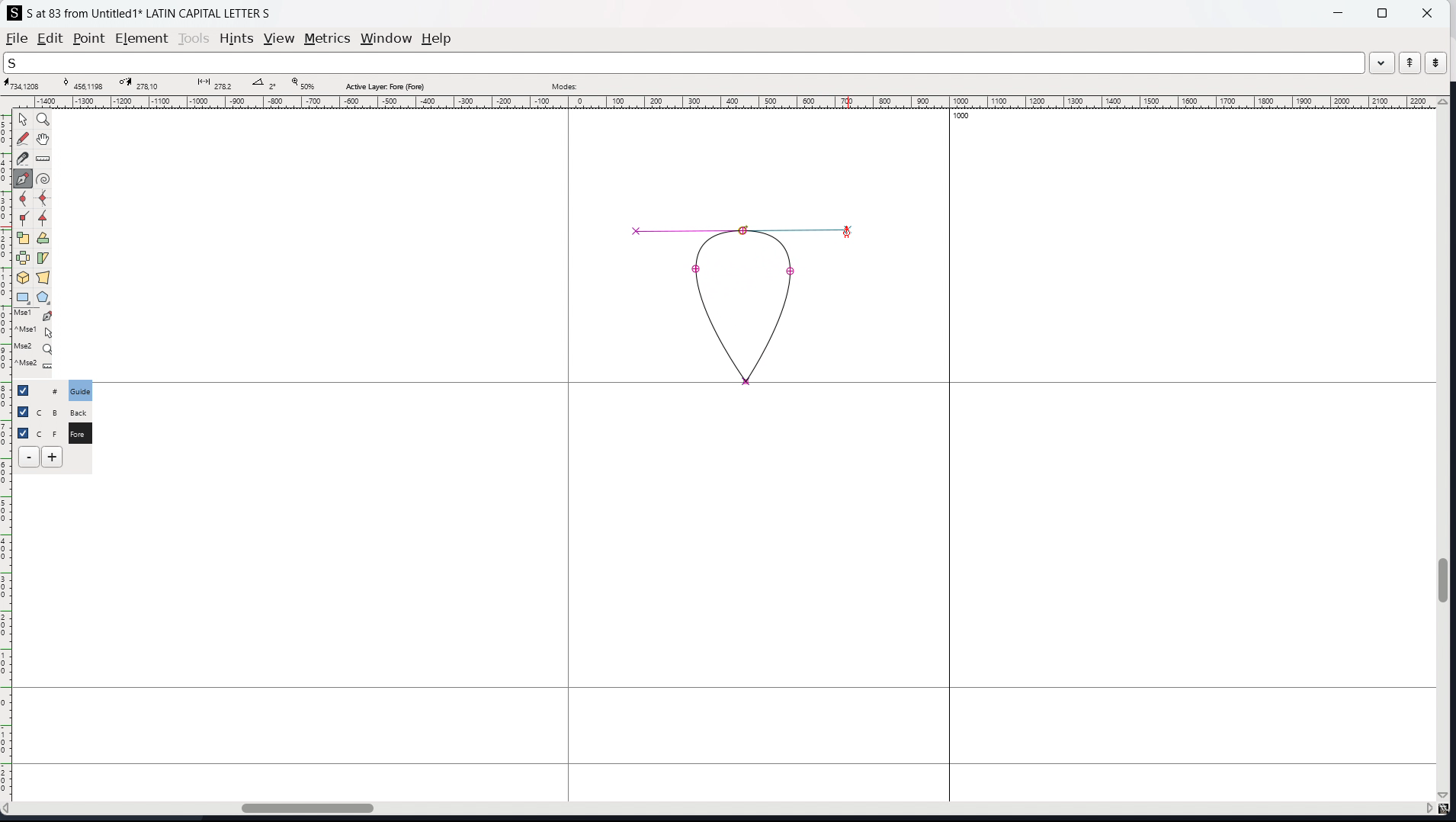 The width and height of the screenshot is (1456, 822). I want to click on horizontal ruler, so click(720, 102).